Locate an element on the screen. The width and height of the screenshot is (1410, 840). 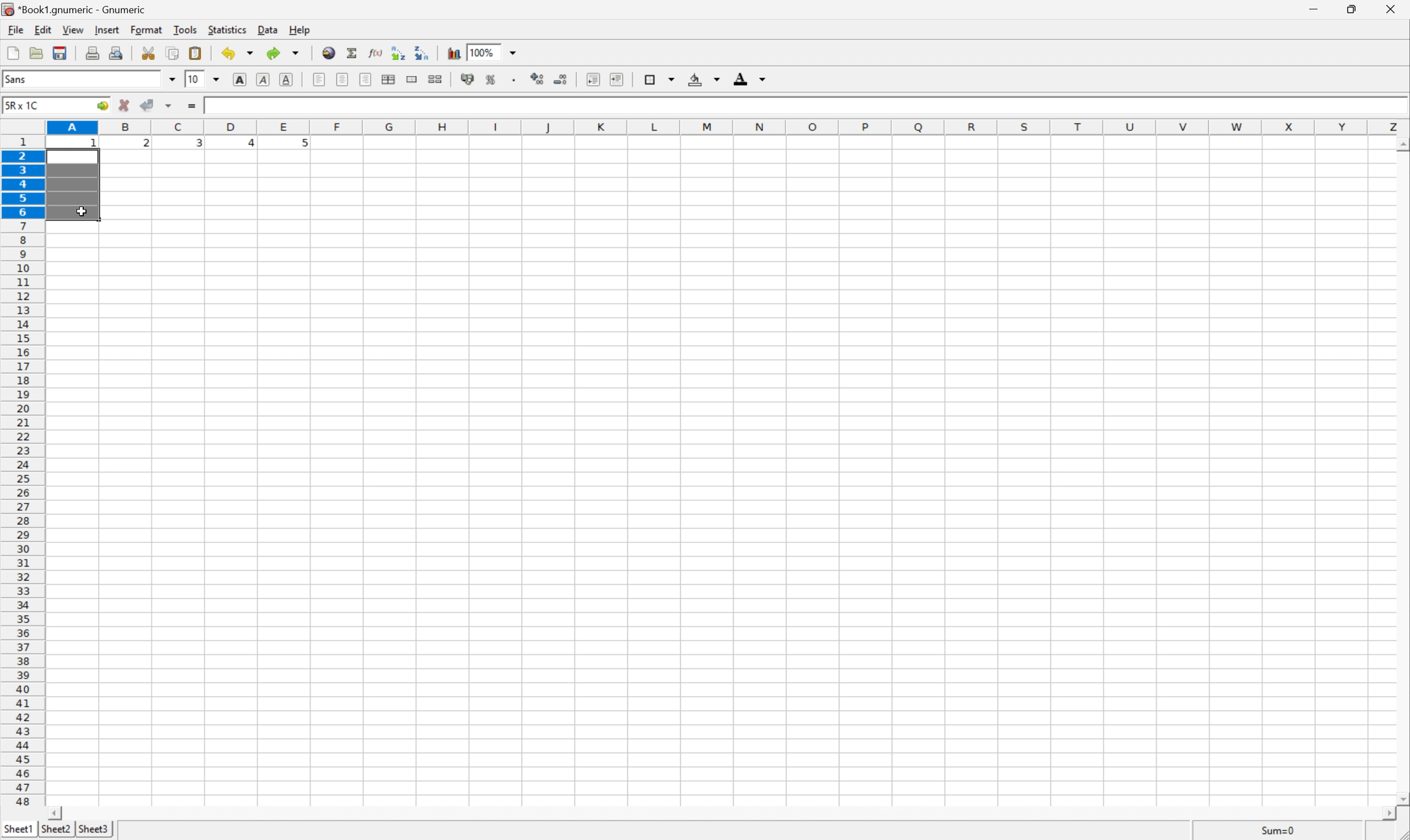
column names is located at coordinates (728, 127).